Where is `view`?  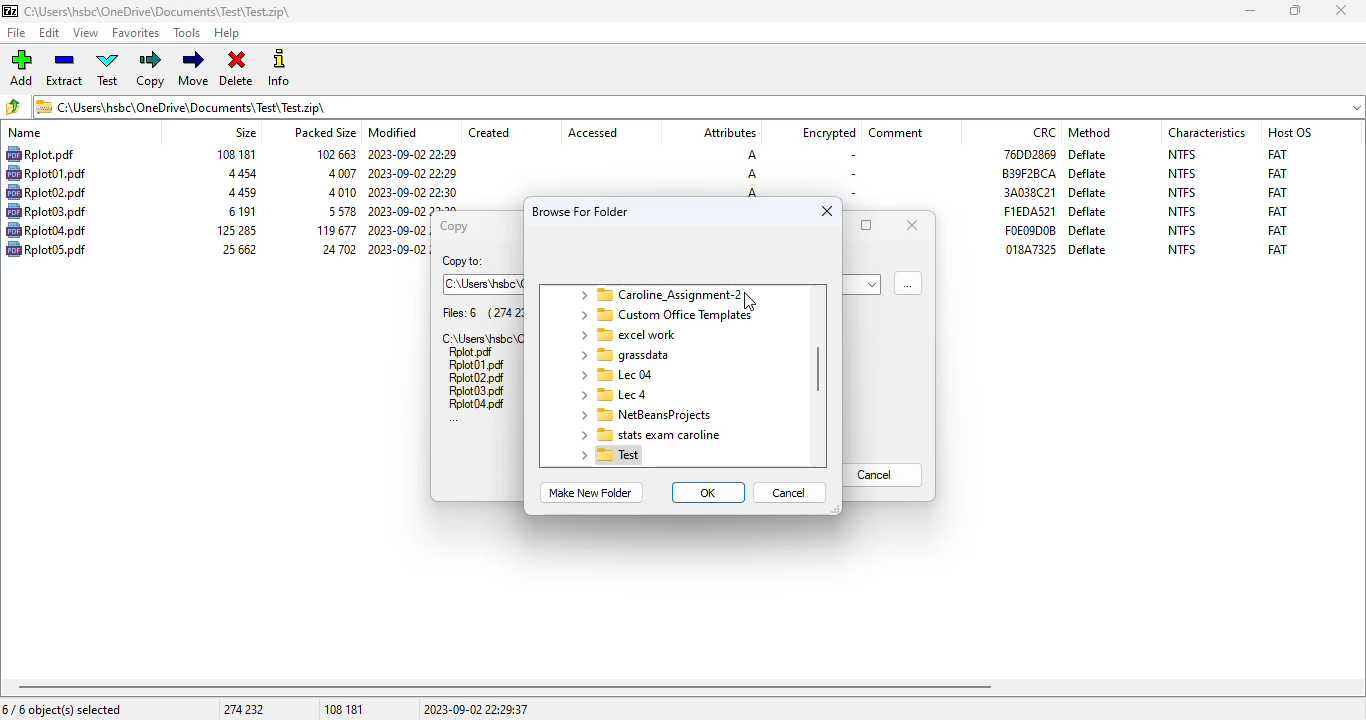 view is located at coordinates (86, 33).